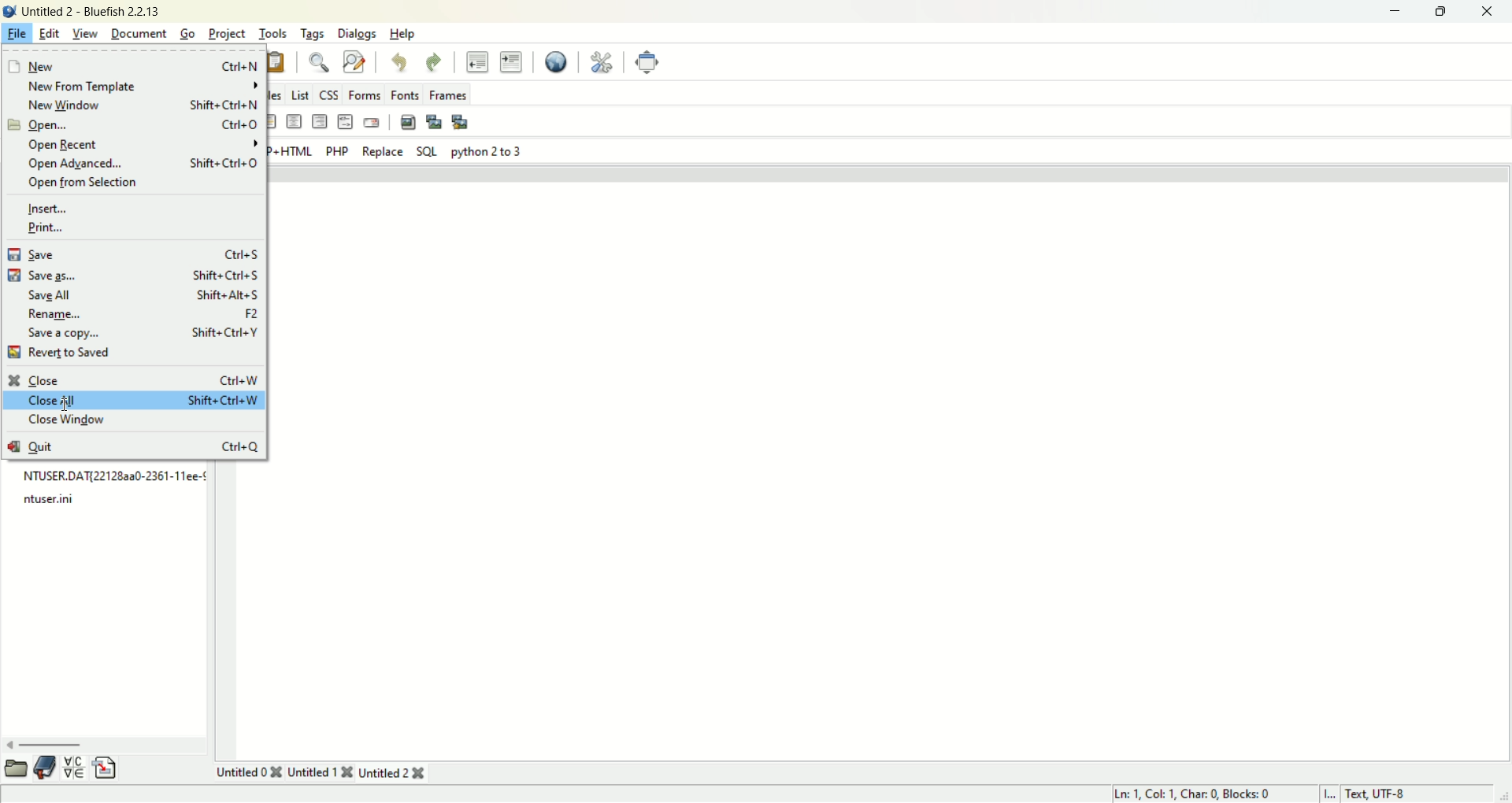  I want to click on close all, so click(134, 401).